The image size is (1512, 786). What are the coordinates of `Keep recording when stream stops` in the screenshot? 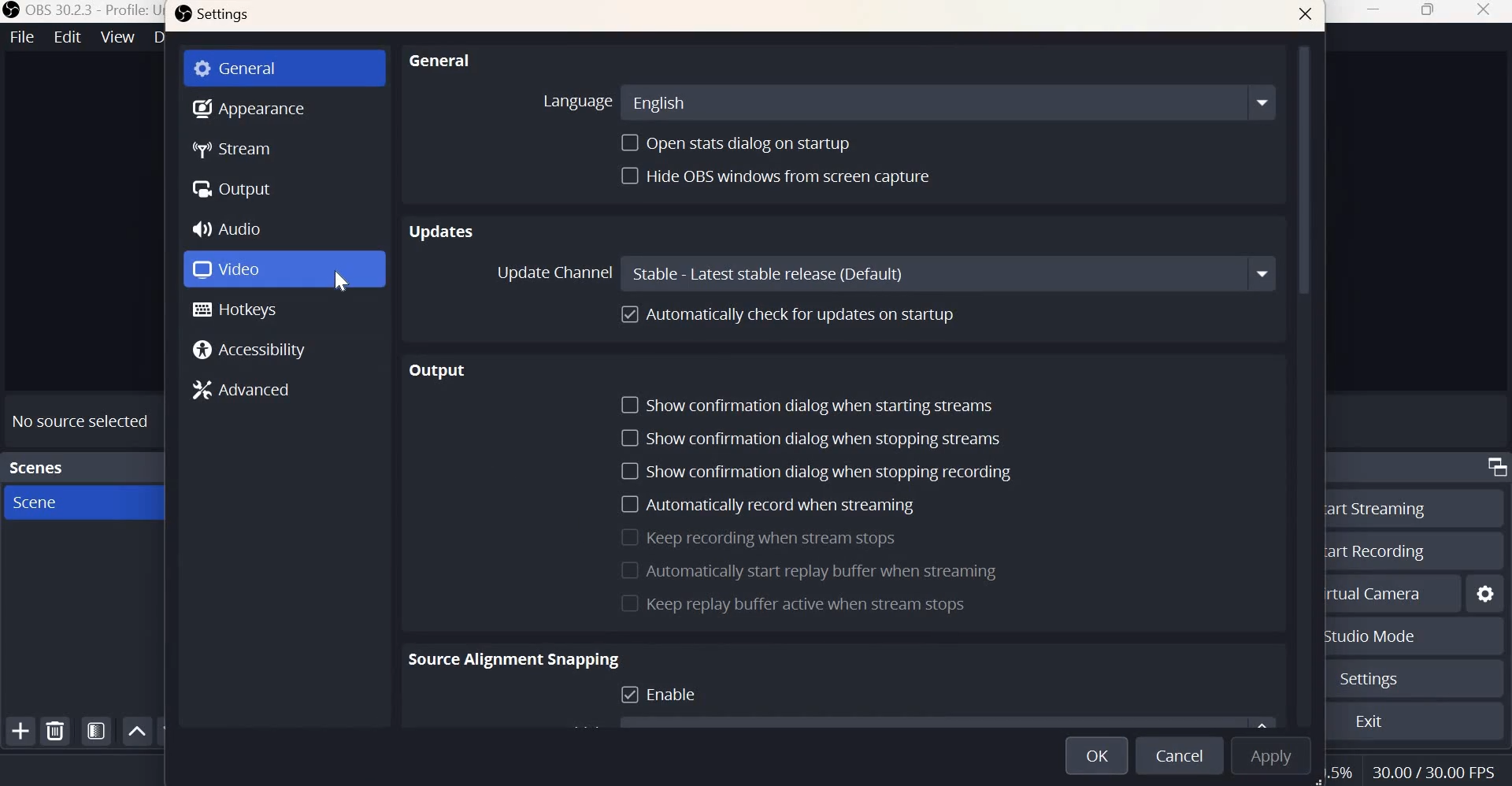 It's located at (769, 538).